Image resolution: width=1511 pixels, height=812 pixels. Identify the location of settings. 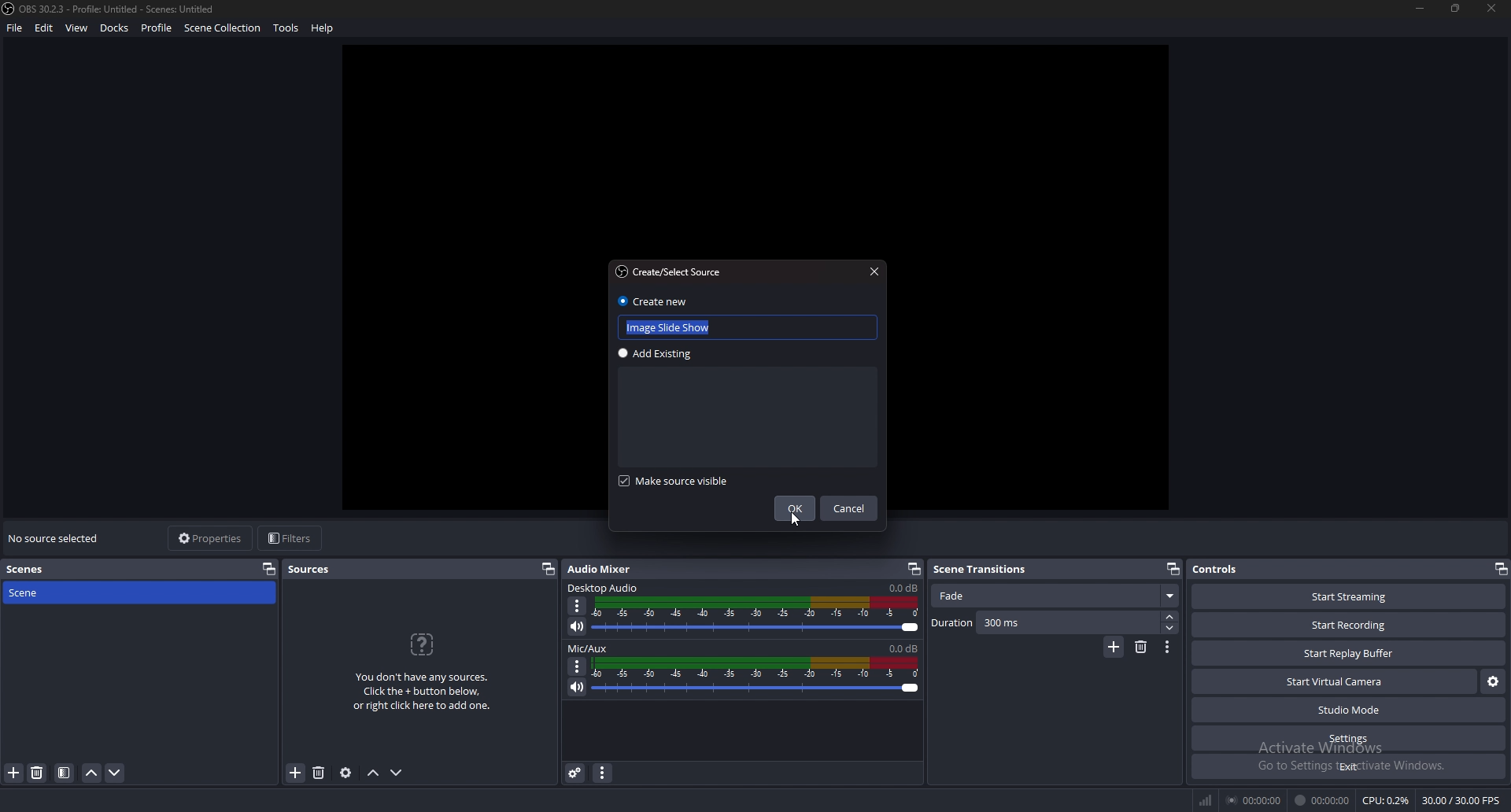
(1348, 739).